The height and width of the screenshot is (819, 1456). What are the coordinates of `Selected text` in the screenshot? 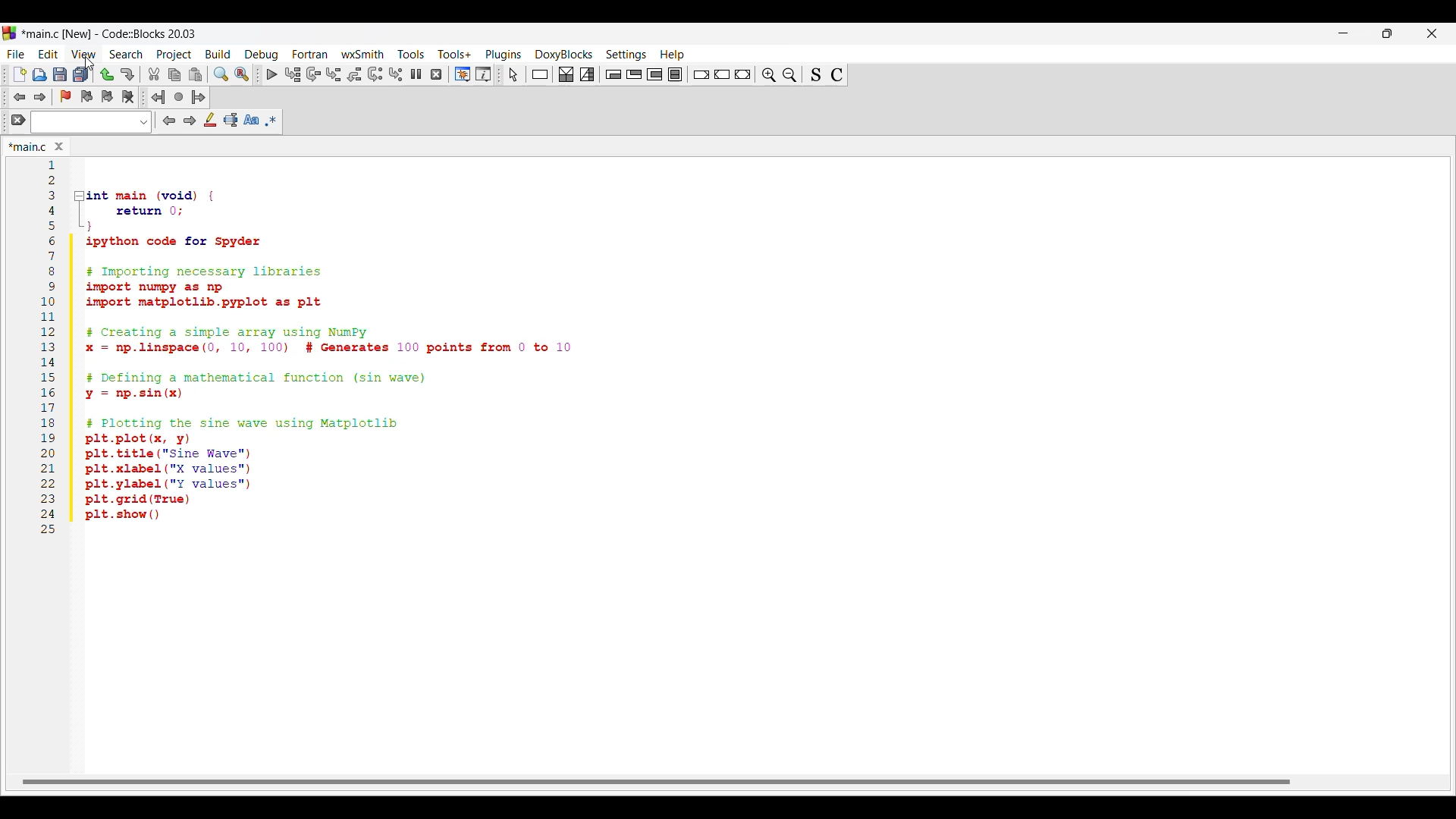 It's located at (231, 120).